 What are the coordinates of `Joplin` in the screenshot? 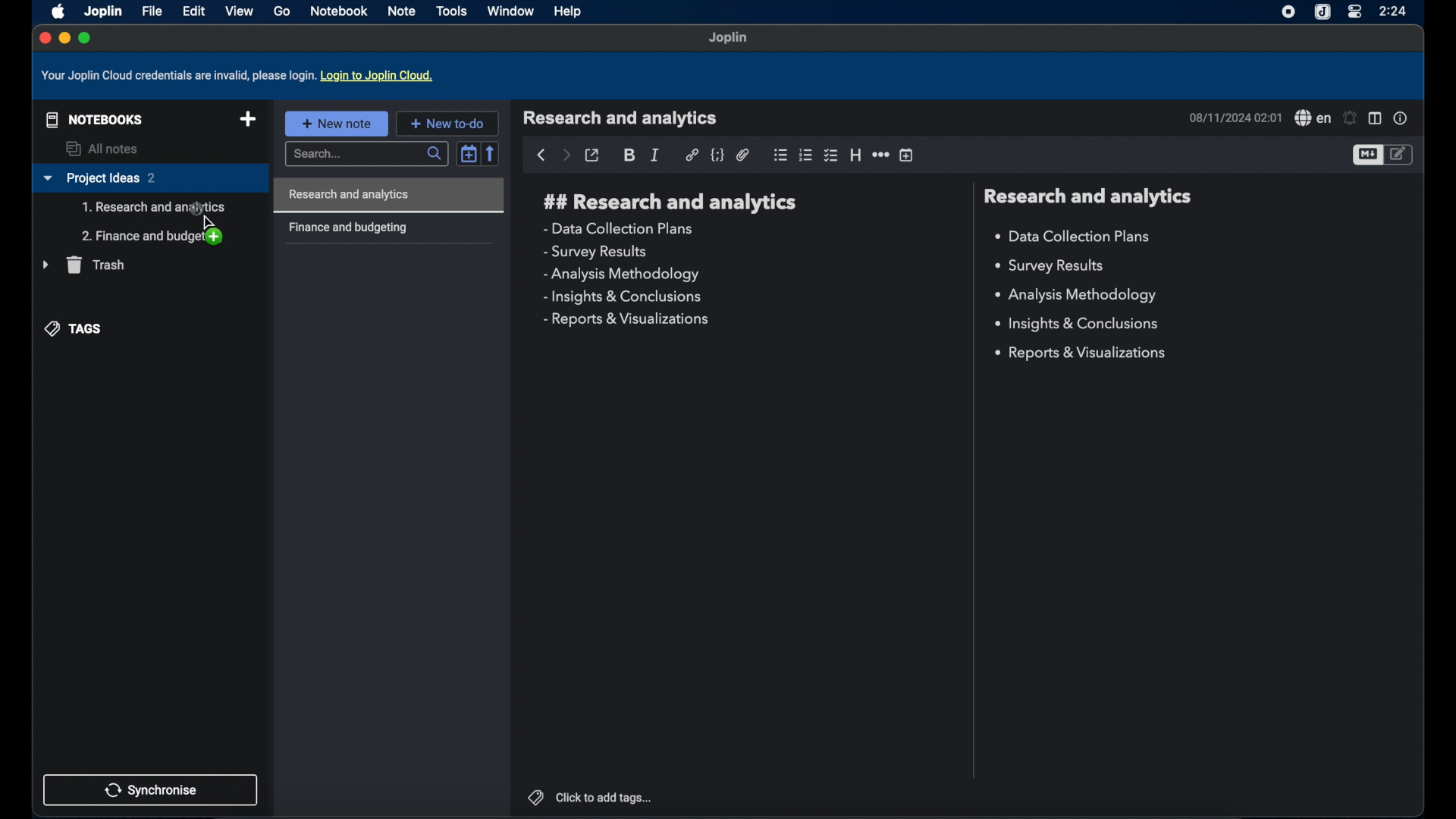 It's located at (729, 39).